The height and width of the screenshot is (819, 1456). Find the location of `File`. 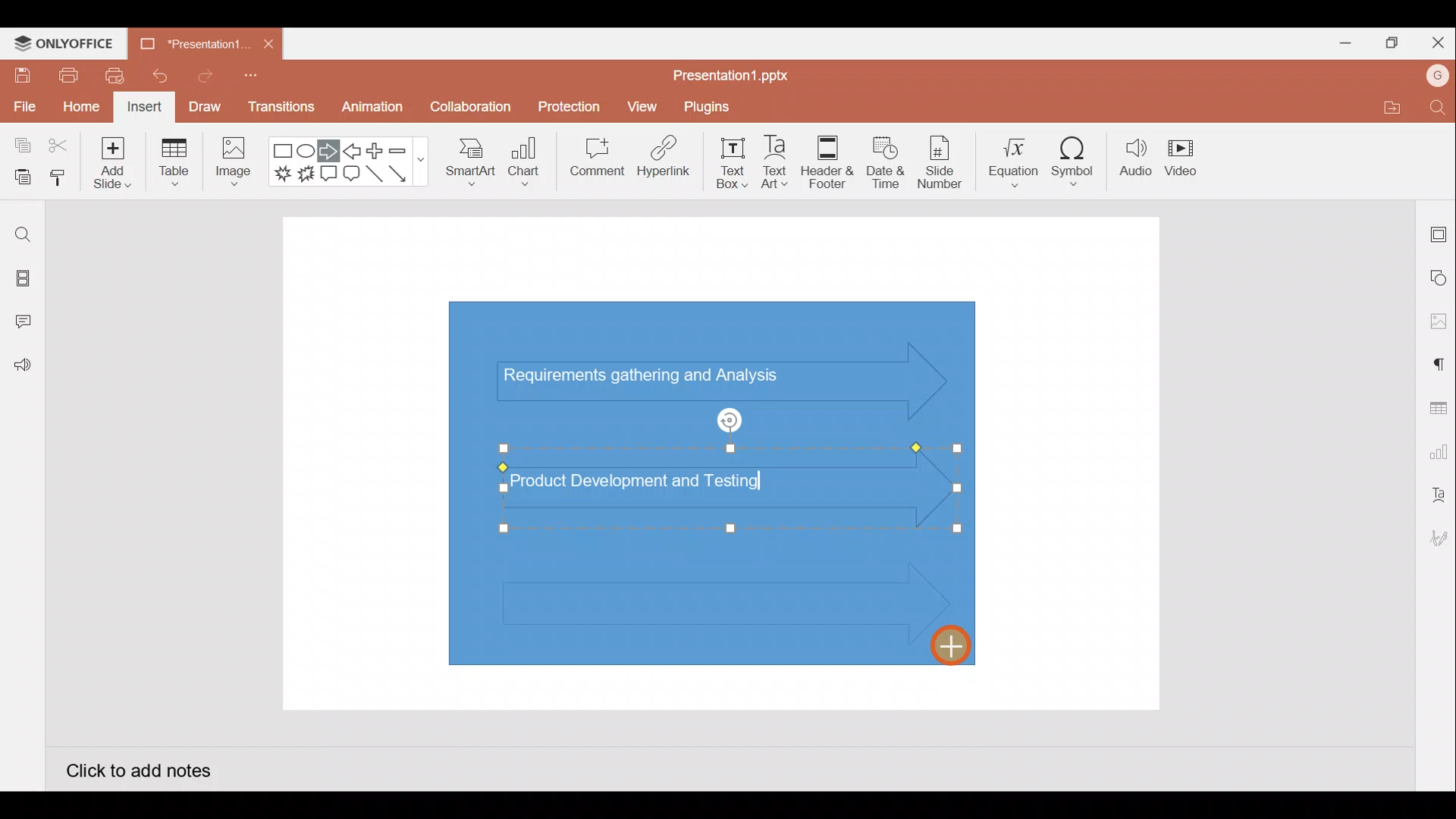

File is located at coordinates (23, 104).